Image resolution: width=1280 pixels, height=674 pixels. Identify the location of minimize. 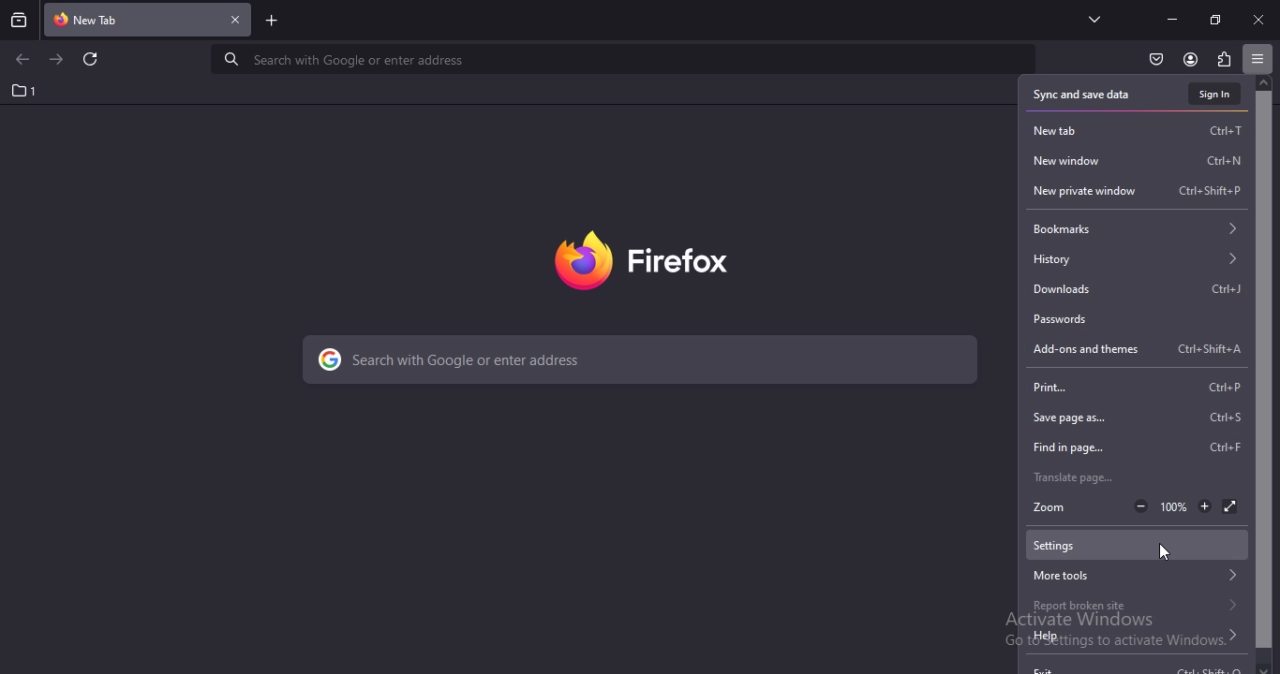
(1172, 20).